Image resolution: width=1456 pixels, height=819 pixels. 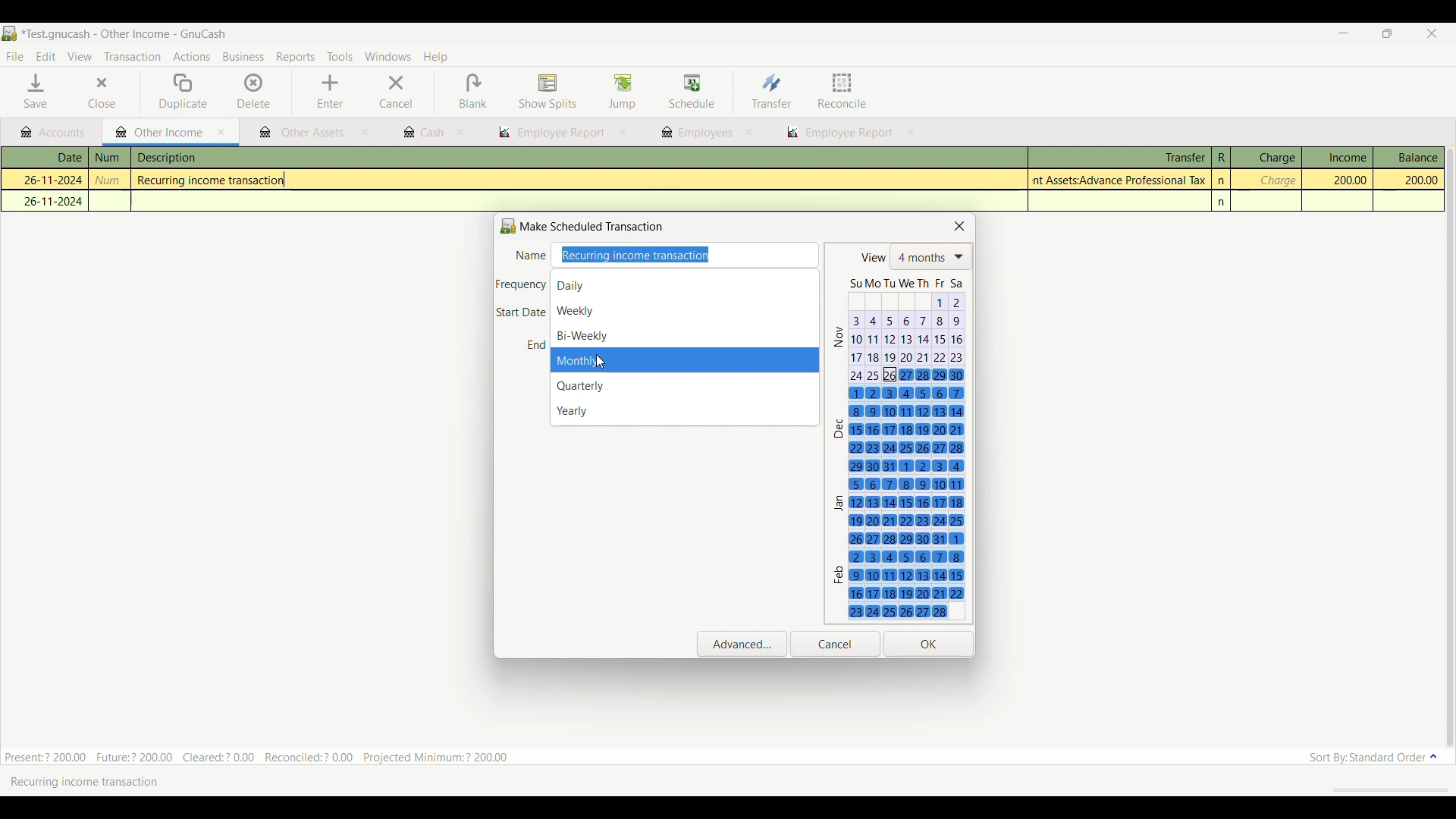 I want to click on cash, so click(x=422, y=133).